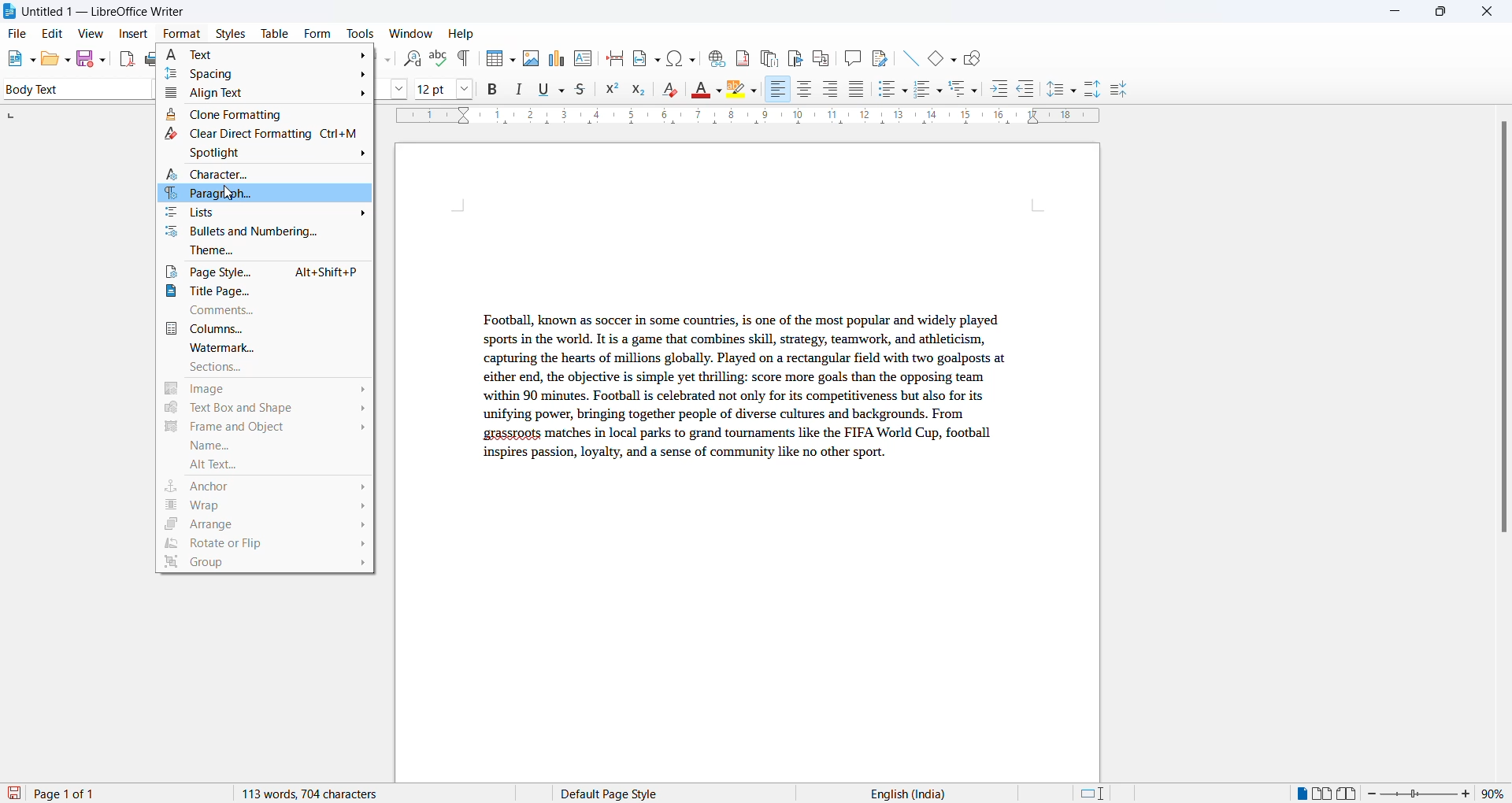 This screenshot has height=803, width=1512. Describe the element at coordinates (266, 567) in the screenshot. I see `group` at that location.